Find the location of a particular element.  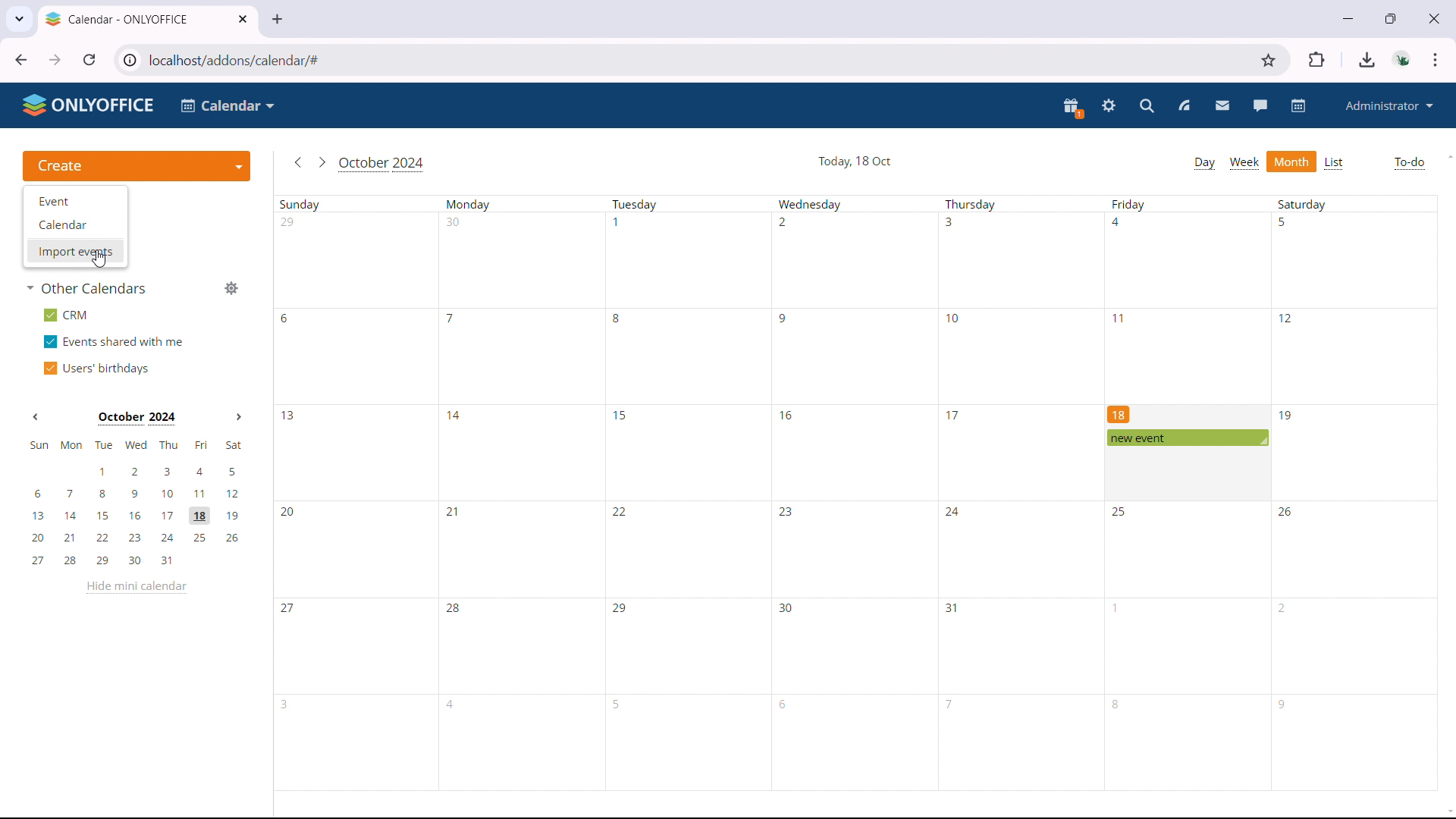

new tab is located at coordinates (277, 20).